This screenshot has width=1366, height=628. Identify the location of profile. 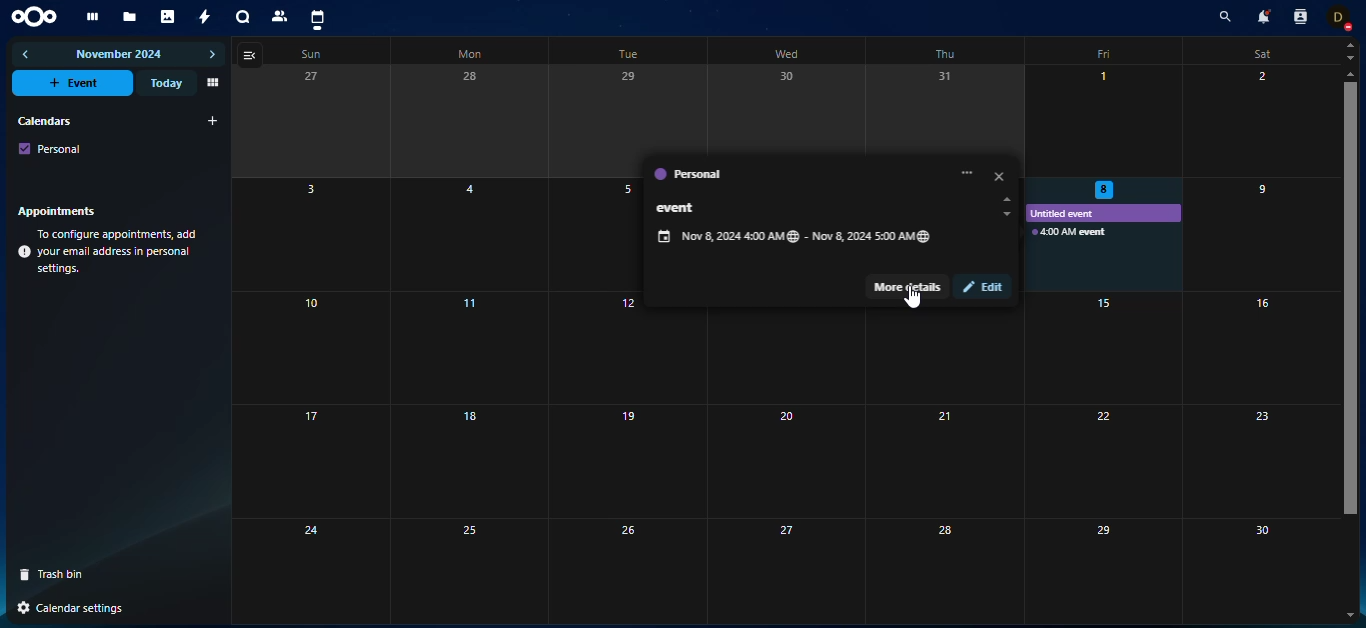
(1343, 17).